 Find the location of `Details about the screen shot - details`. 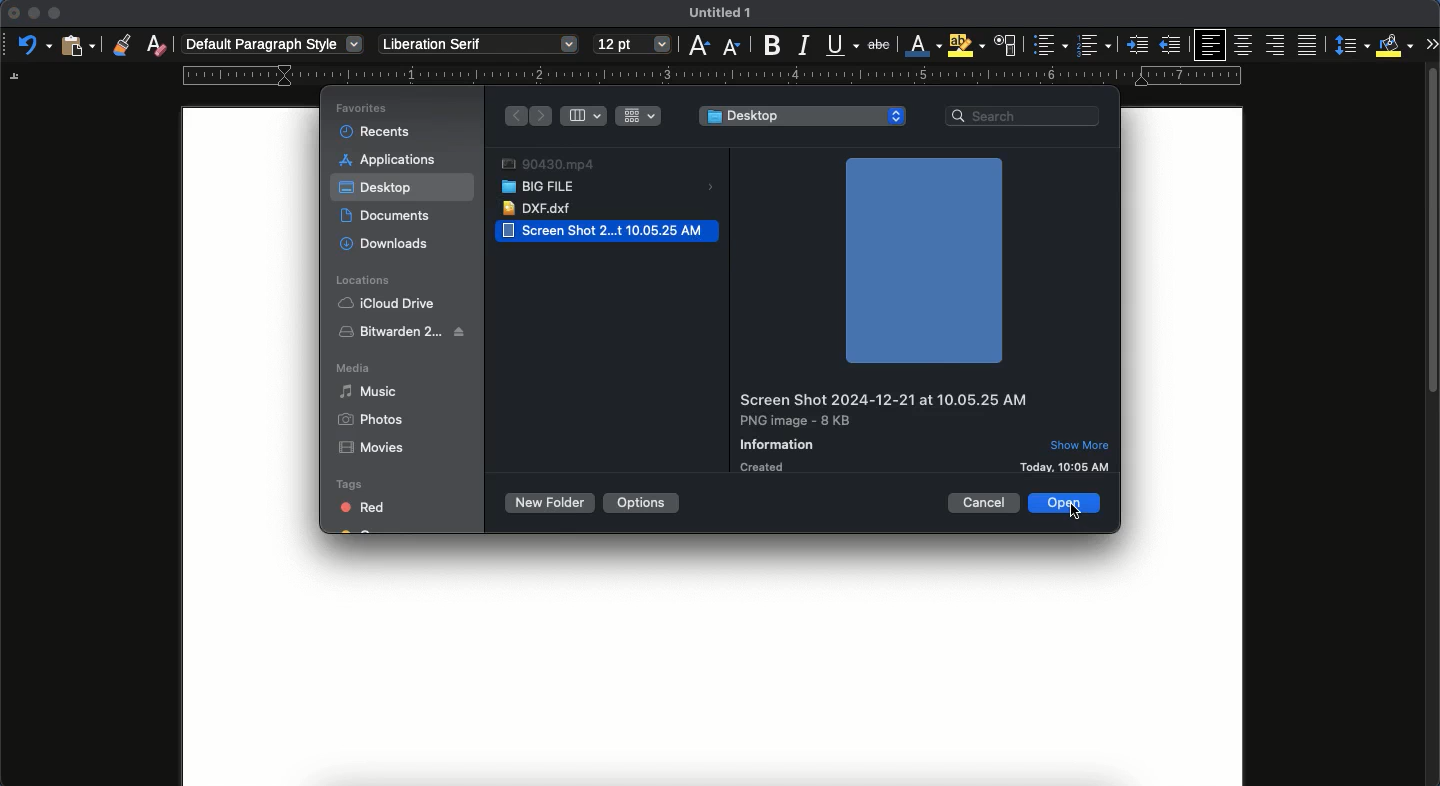

Details about the screen shot - details is located at coordinates (882, 430).